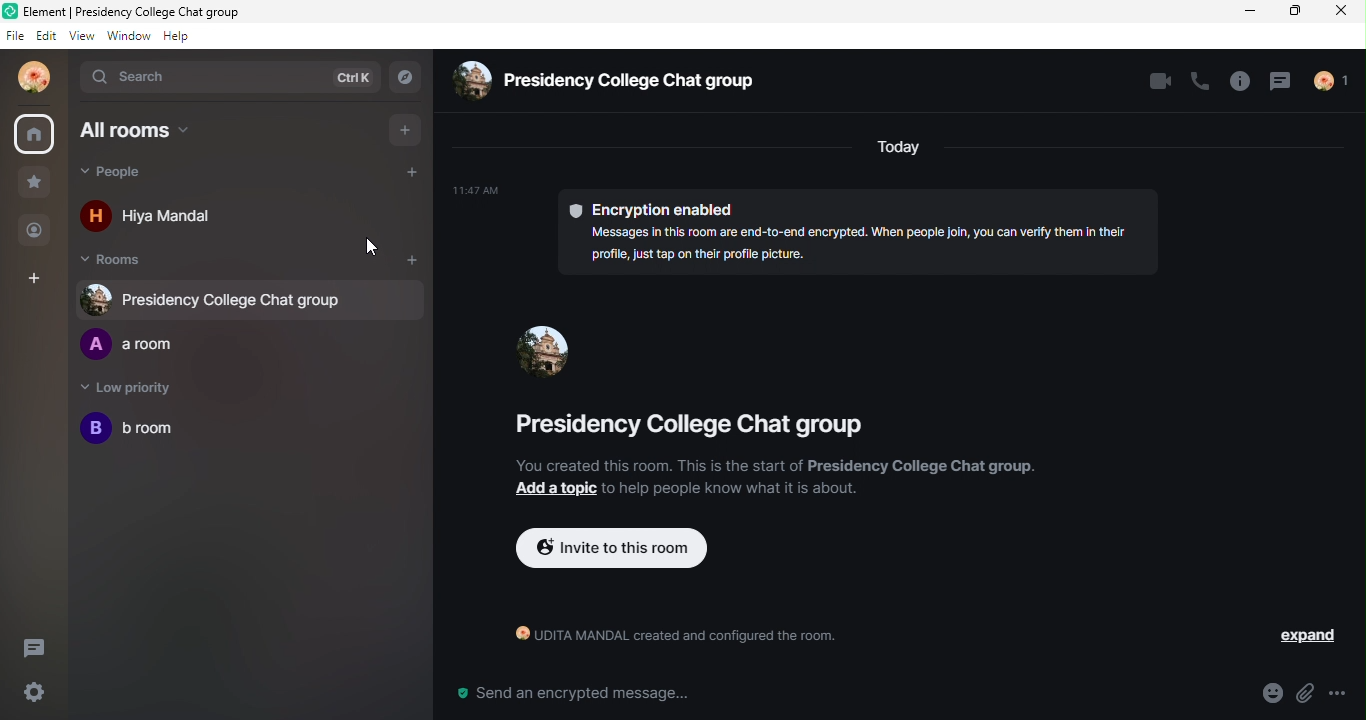  What do you see at coordinates (820, 233) in the screenshot?
I see `encryption enable` at bounding box center [820, 233].